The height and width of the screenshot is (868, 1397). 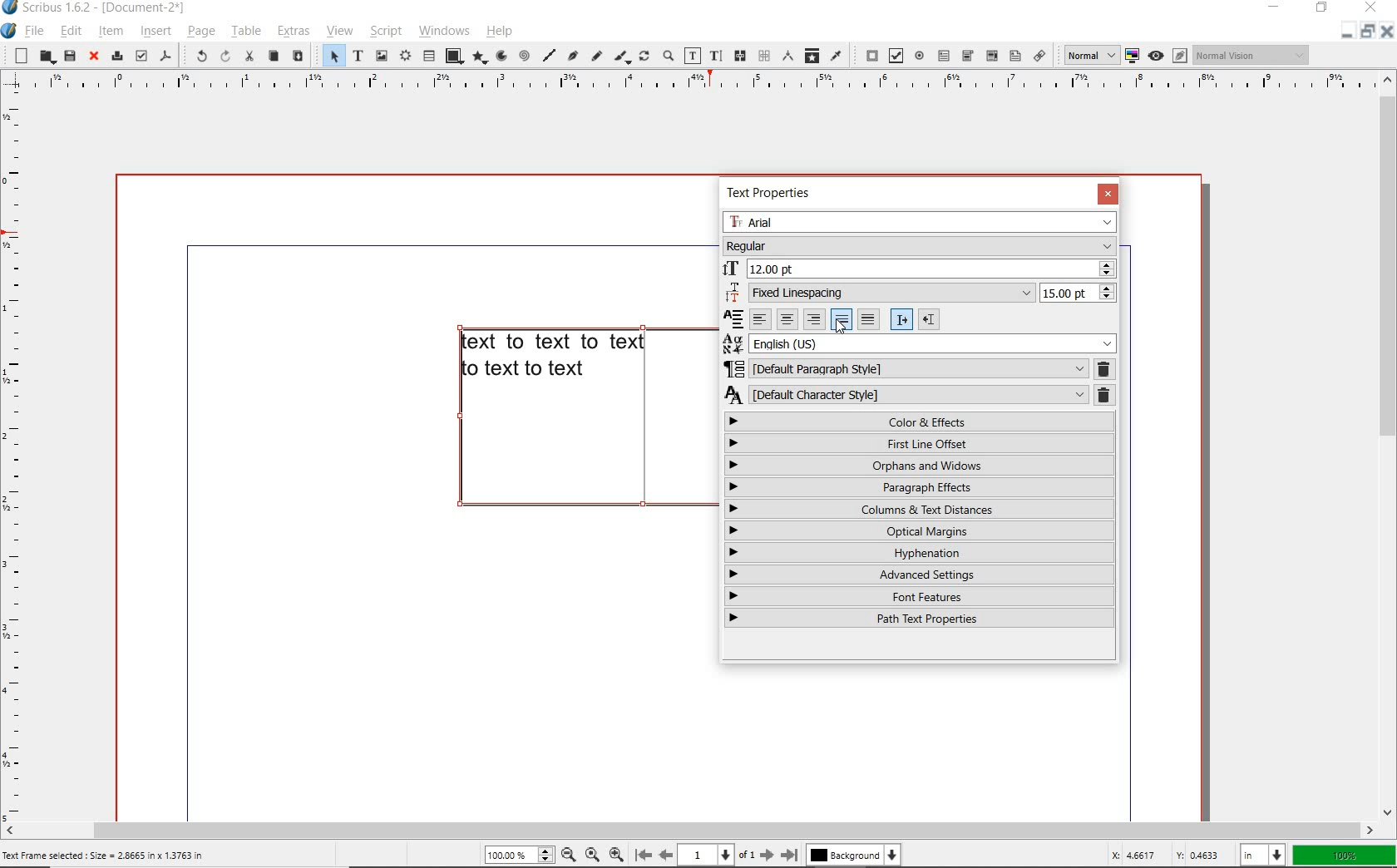 I want to click on page, so click(x=199, y=32).